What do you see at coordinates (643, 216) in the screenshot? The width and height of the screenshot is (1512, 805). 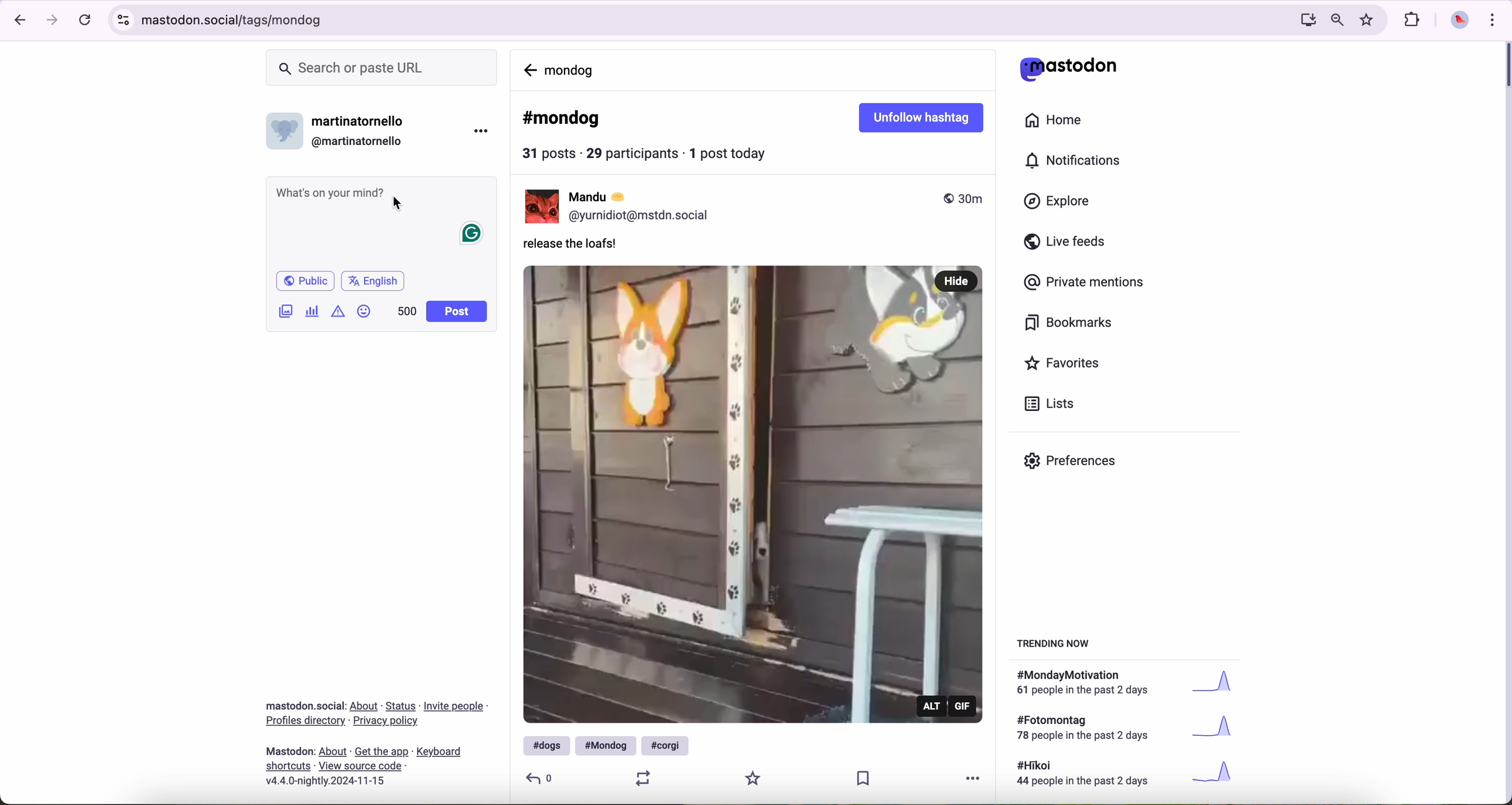 I see `profile` at bounding box center [643, 216].